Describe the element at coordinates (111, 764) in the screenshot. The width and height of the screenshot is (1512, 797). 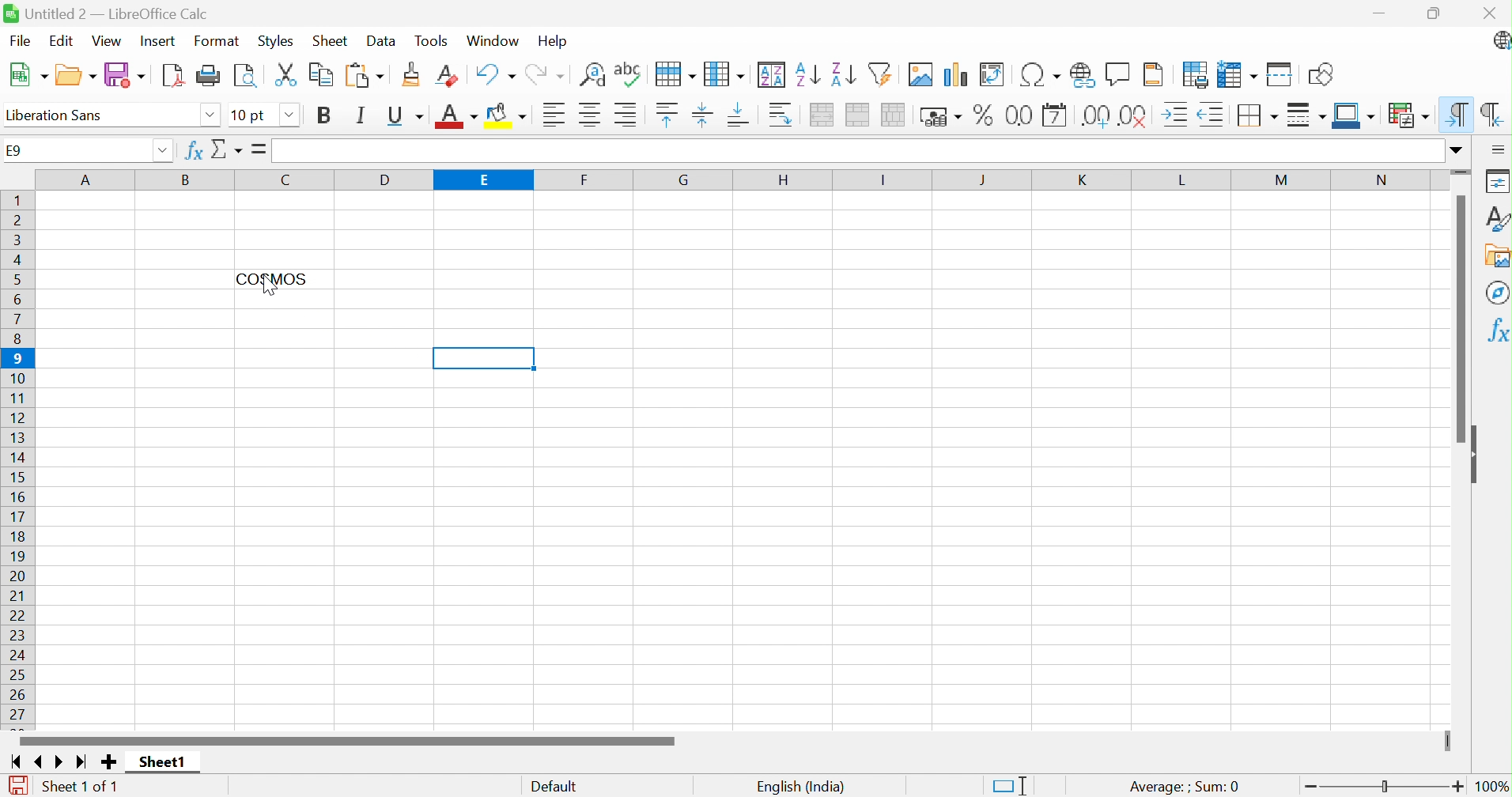
I see `Add new slide` at that location.